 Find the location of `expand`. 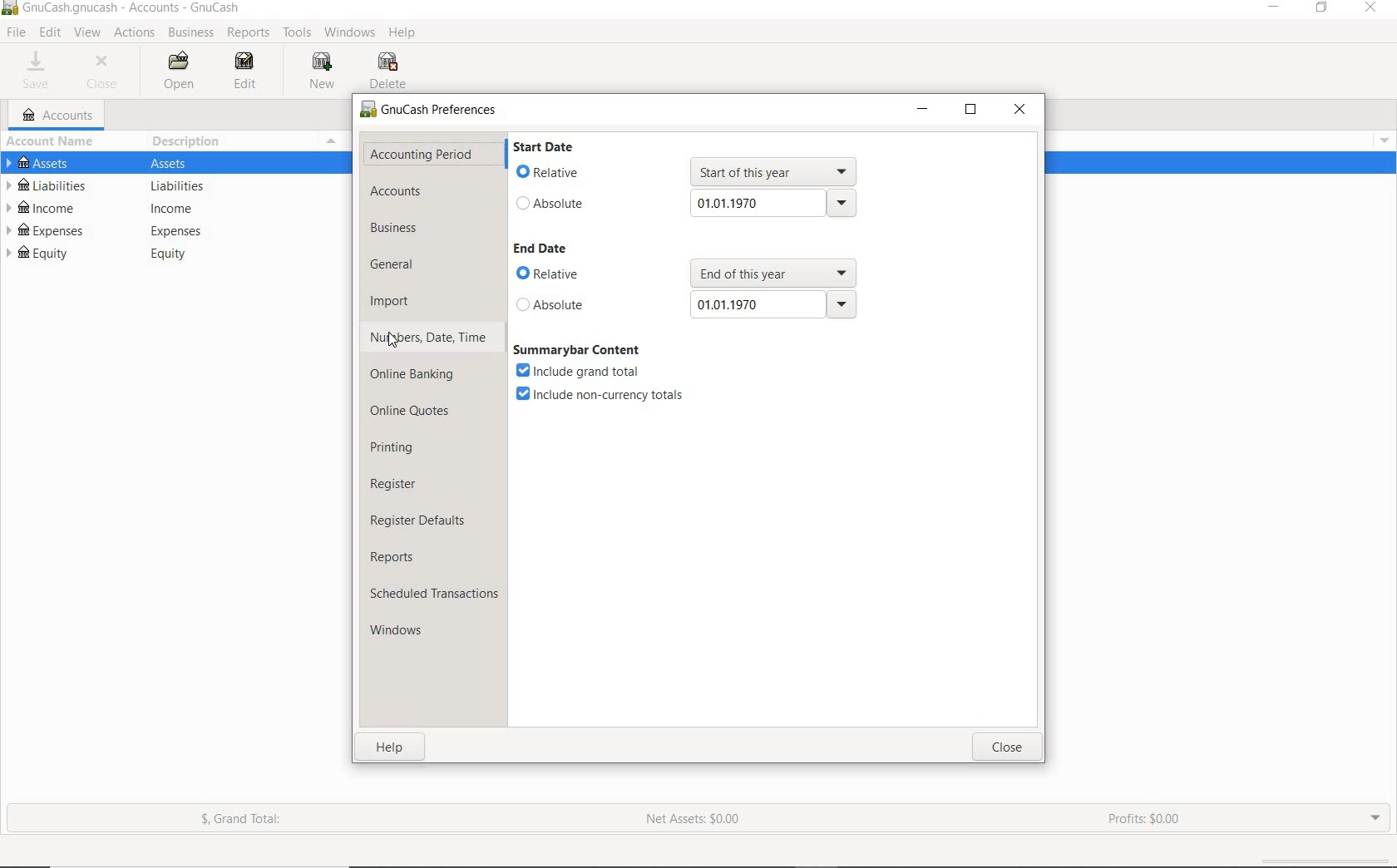

expand is located at coordinates (1382, 138).